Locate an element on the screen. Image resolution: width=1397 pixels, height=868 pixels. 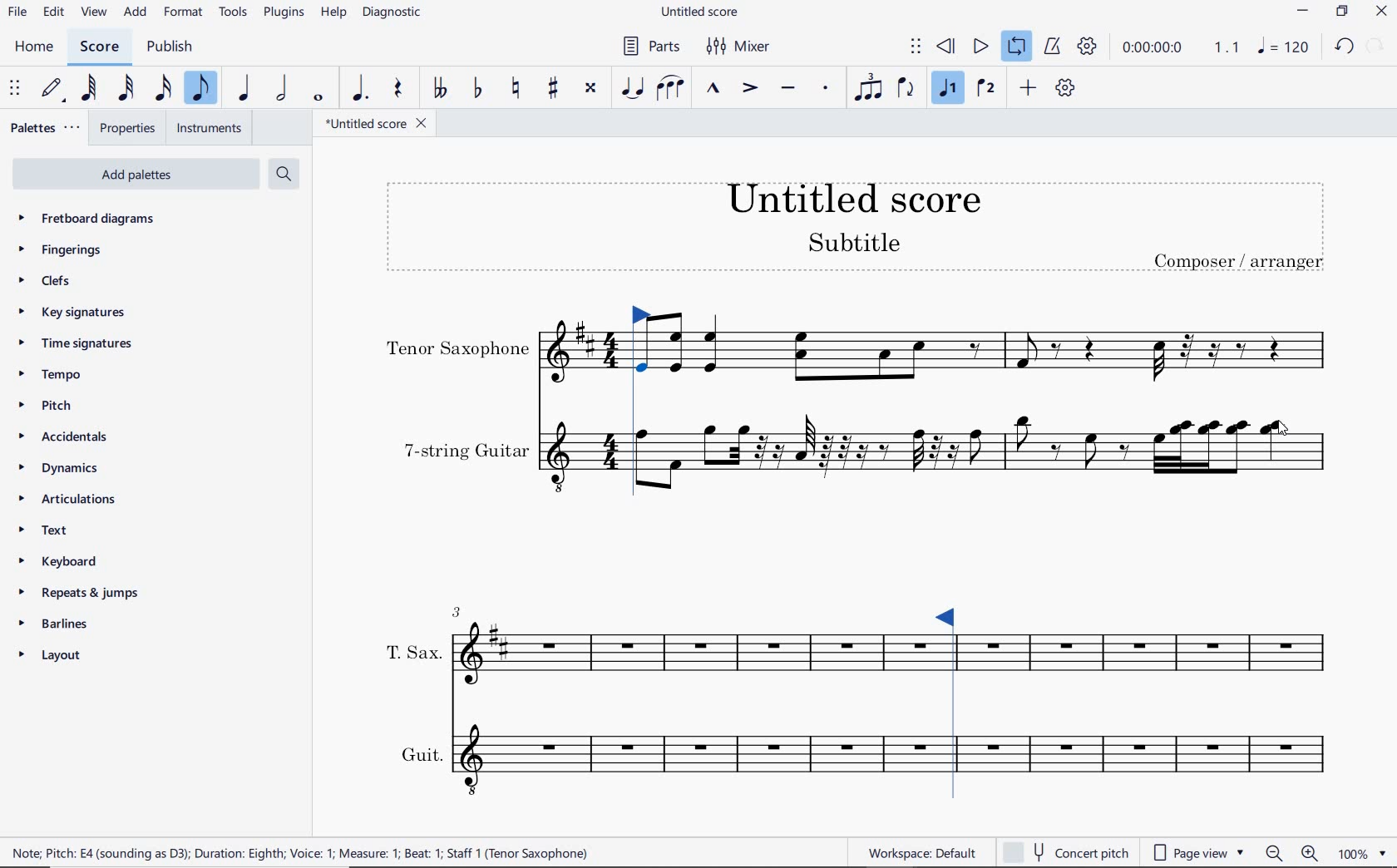
FORMAT is located at coordinates (185, 12).